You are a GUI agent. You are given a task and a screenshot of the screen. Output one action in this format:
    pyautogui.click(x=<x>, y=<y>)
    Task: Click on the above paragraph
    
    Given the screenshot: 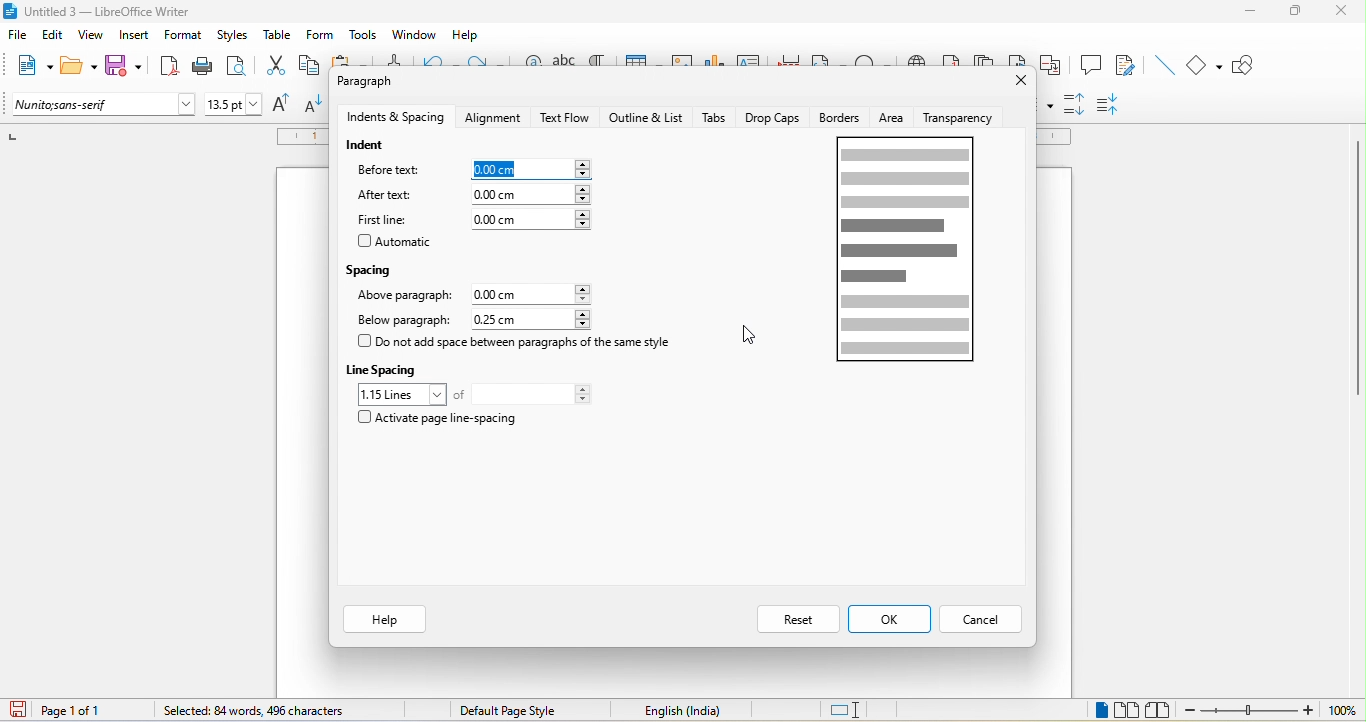 What is the action you would take?
    pyautogui.click(x=404, y=297)
    